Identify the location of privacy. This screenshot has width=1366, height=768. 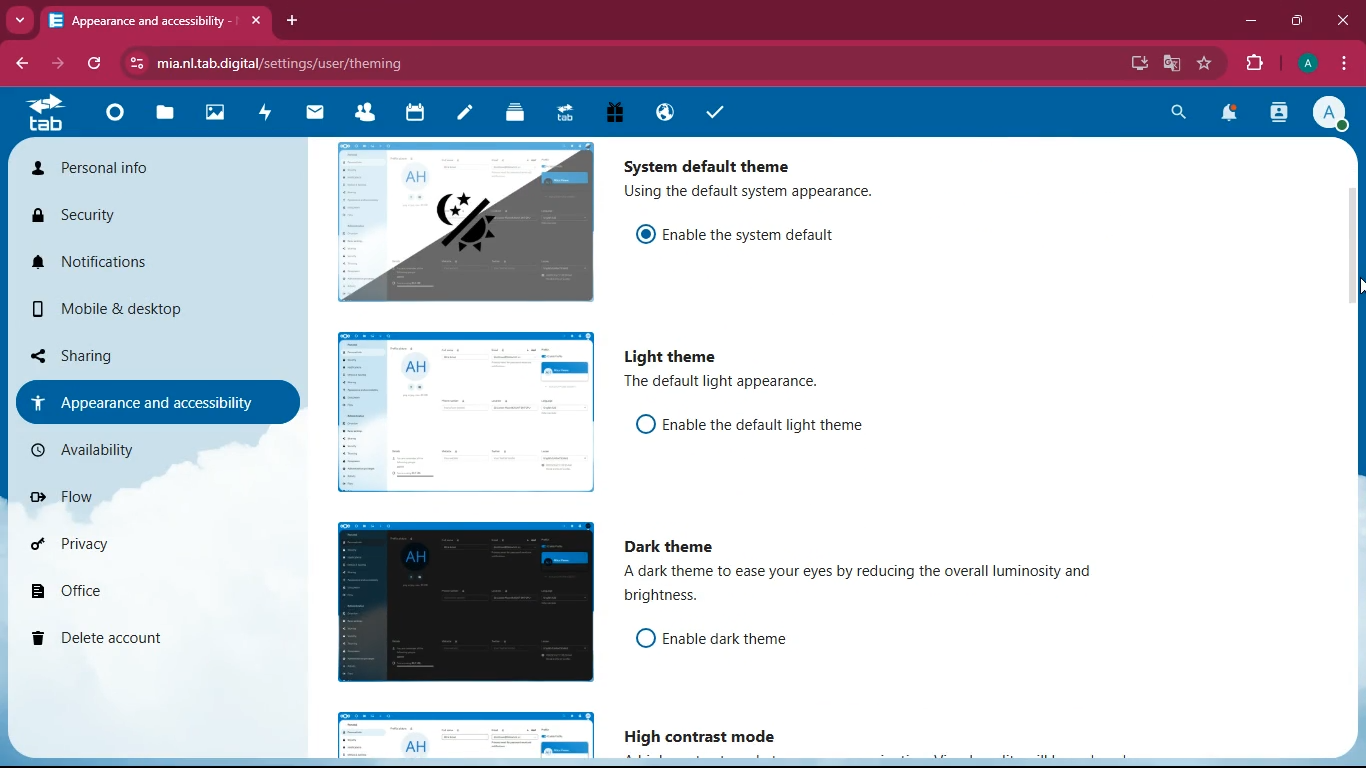
(128, 549).